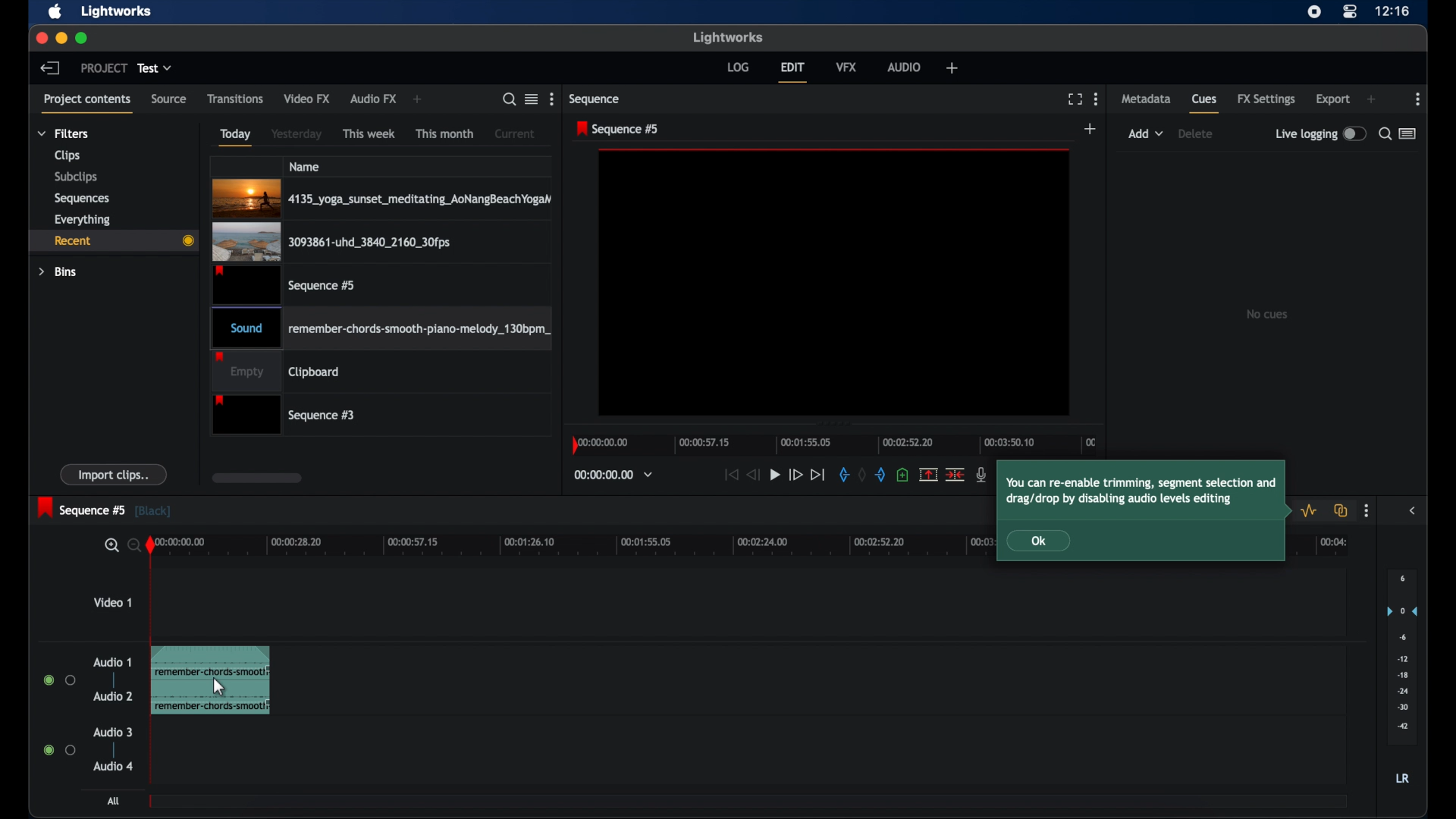 The image size is (1456, 819). I want to click on recent, so click(115, 240).